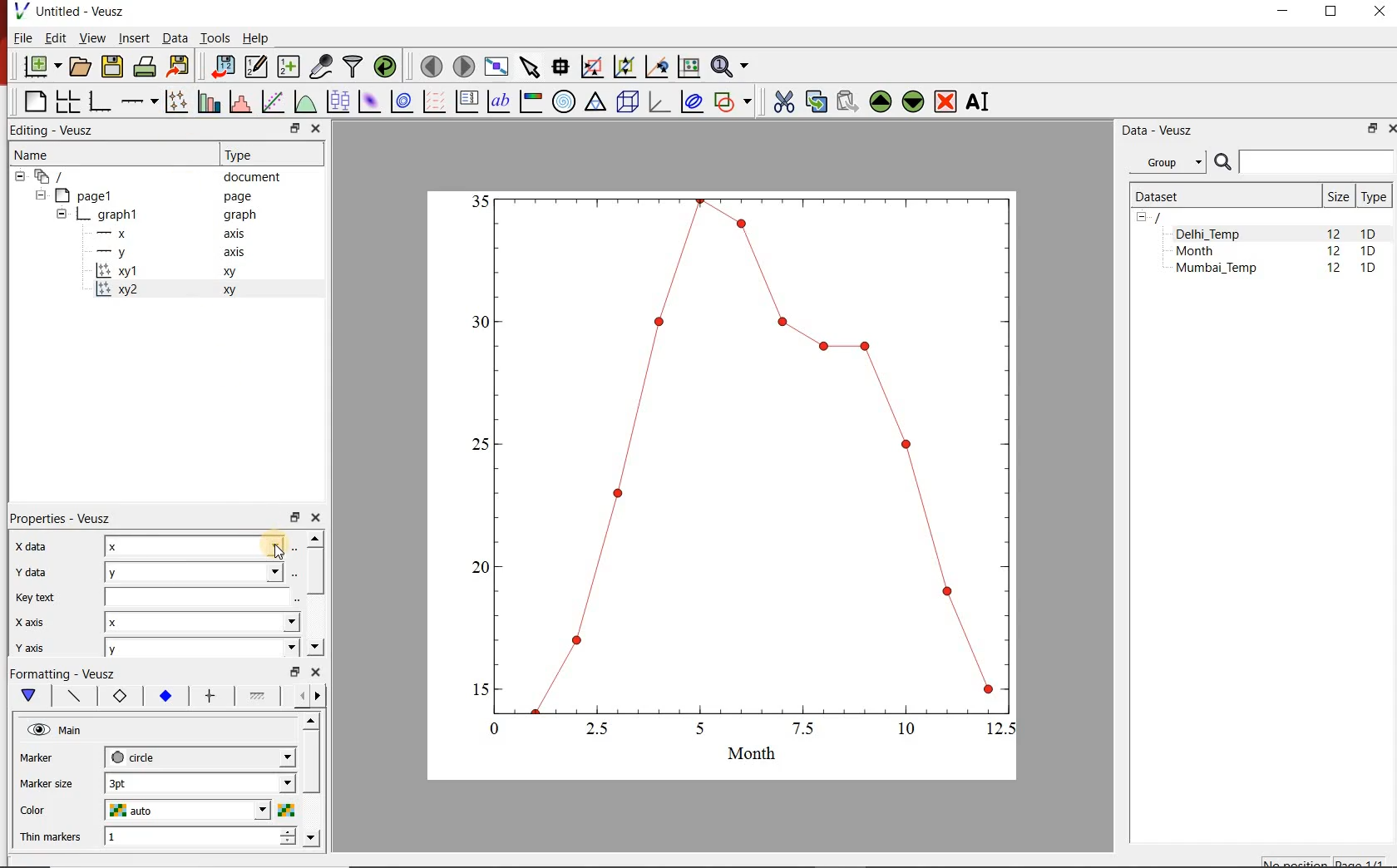 This screenshot has width=1397, height=868. What do you see at coordinates (245, 155) in the screenshot?
I see `Type` at bounding box center [245, 155].